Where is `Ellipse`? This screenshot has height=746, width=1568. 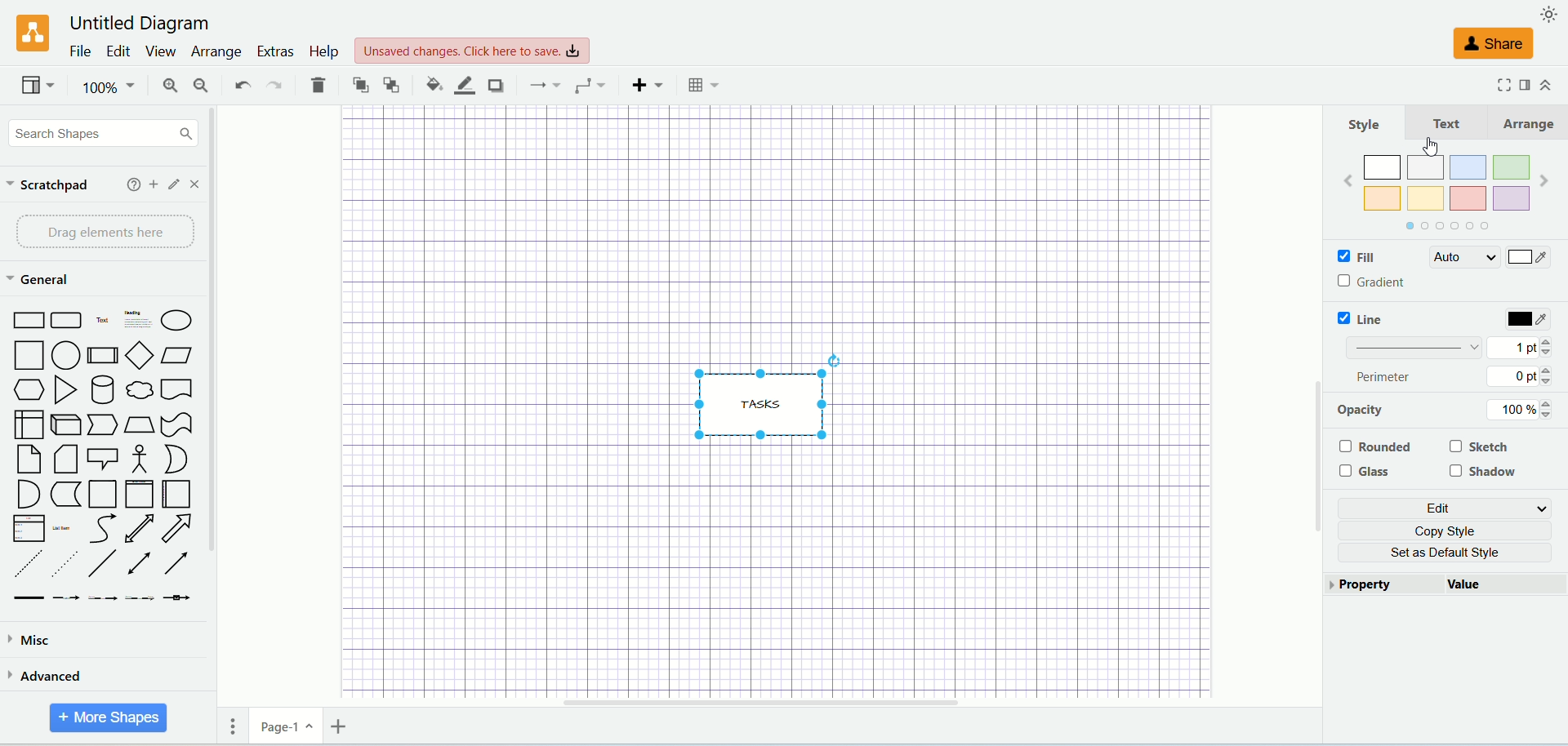 Ellipse is located at coordinates (177, 320).